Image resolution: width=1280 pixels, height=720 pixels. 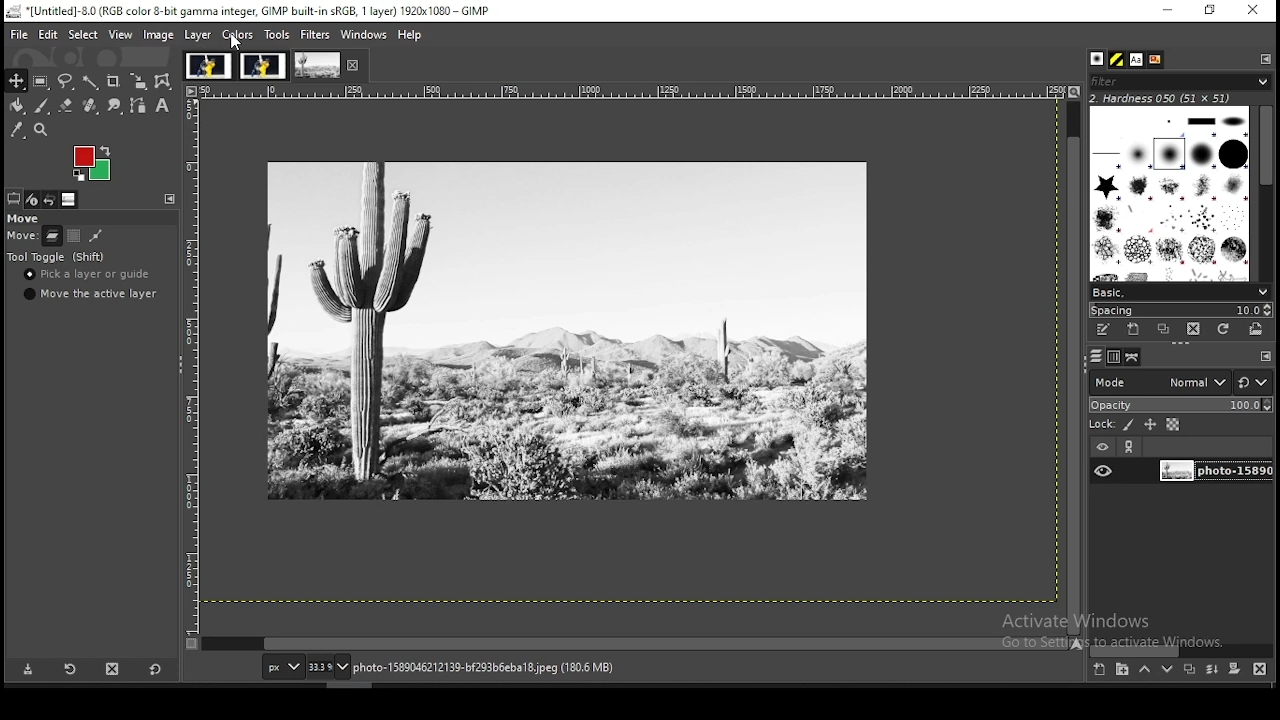 I want to click on channels, so click(x=1116, y=357).